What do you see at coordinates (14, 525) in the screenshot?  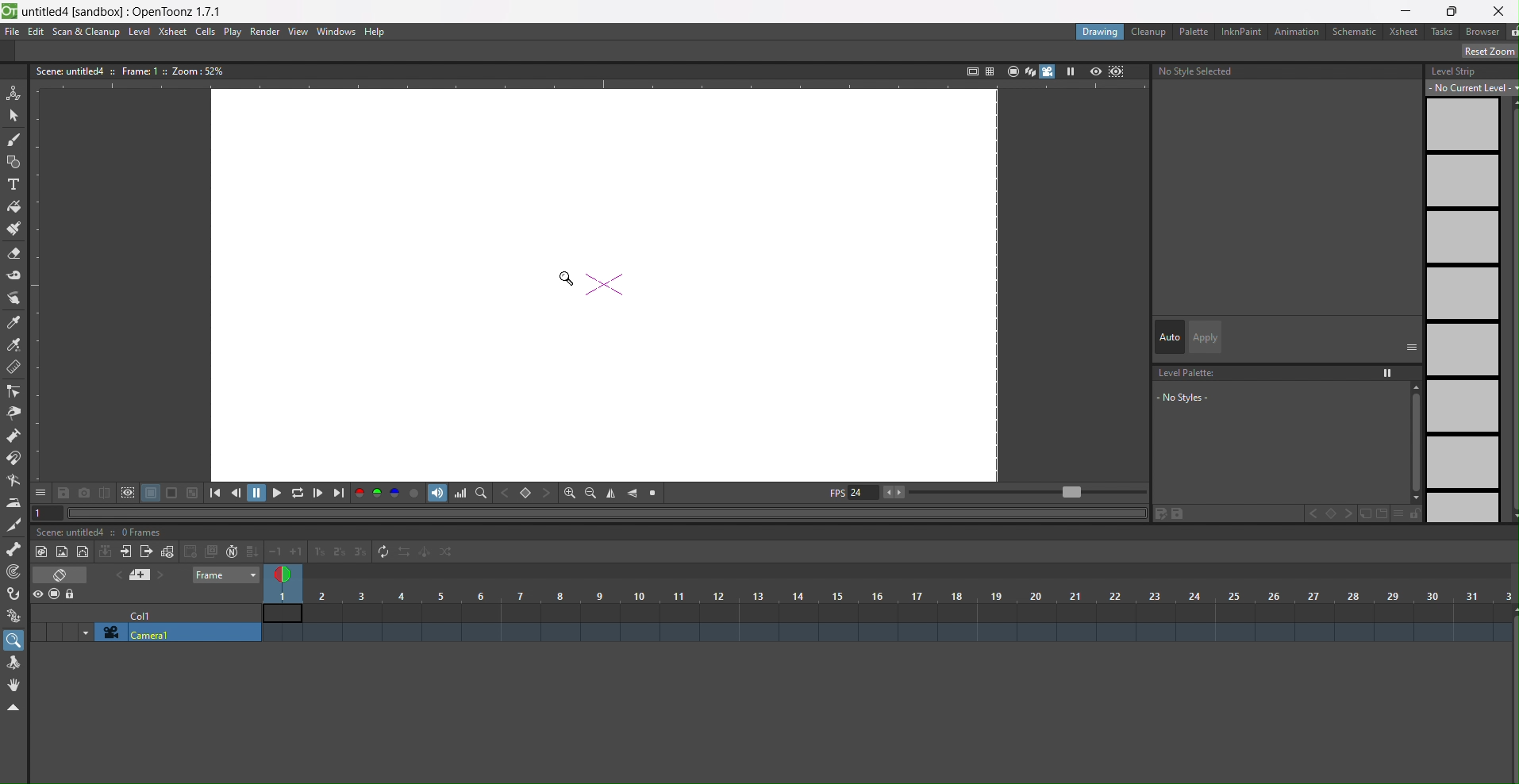 I see `cutter tool` at bounding box center [14, 525].